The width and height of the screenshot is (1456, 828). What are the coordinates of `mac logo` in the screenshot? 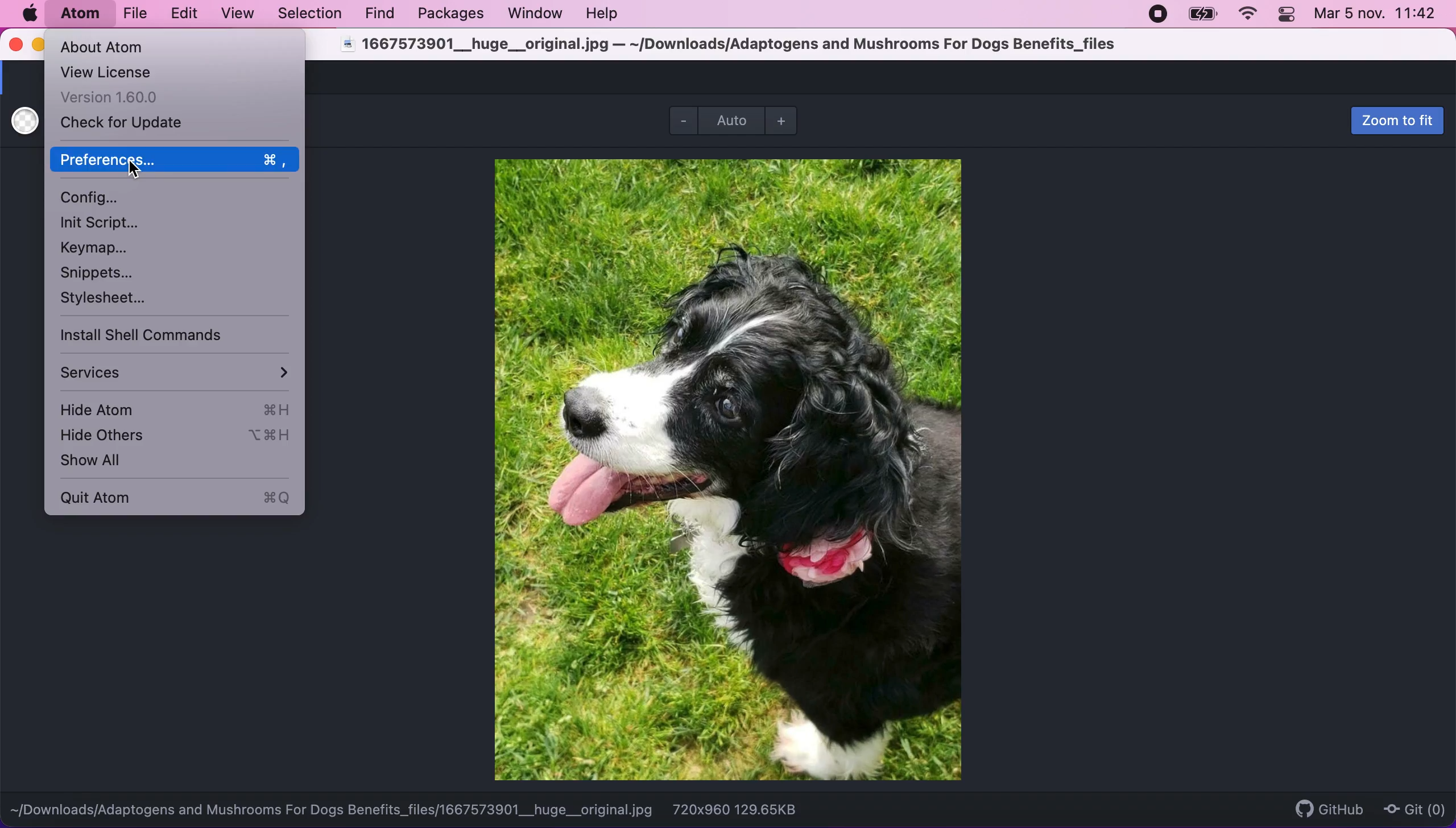 It's located at (29, 15).